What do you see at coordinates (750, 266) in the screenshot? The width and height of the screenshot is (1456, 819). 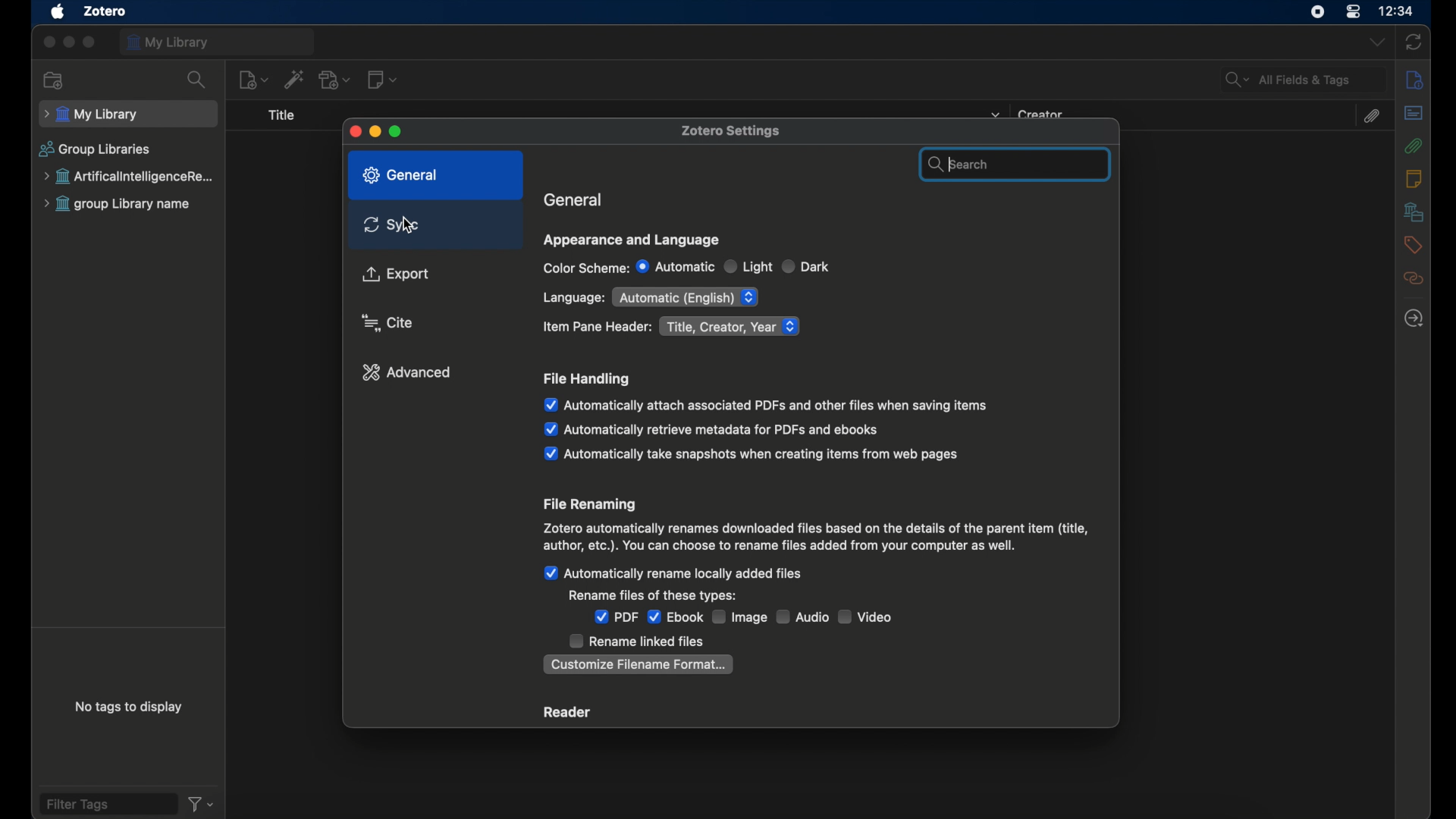 I see `light radio button` at bounding box center [750, 266].